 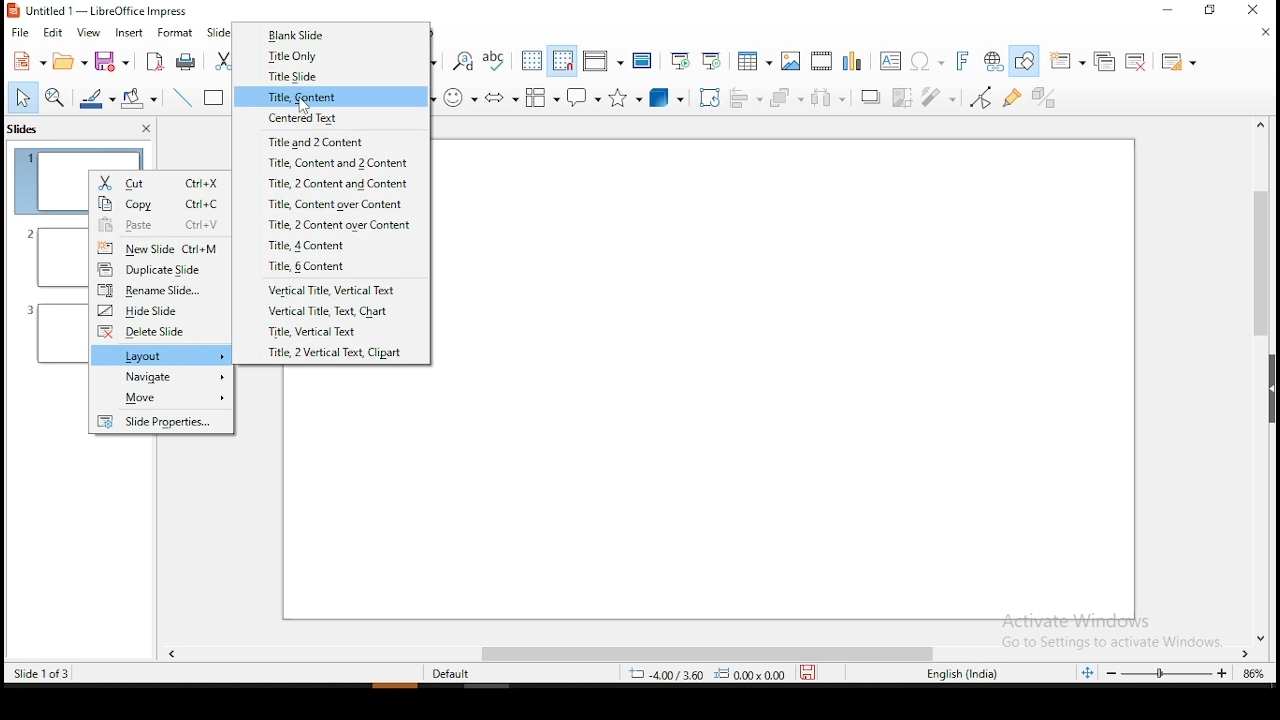 What do you see at coordinates (127, 33) in the screenshot?
I see `insert` at bounding box center [127, 33].